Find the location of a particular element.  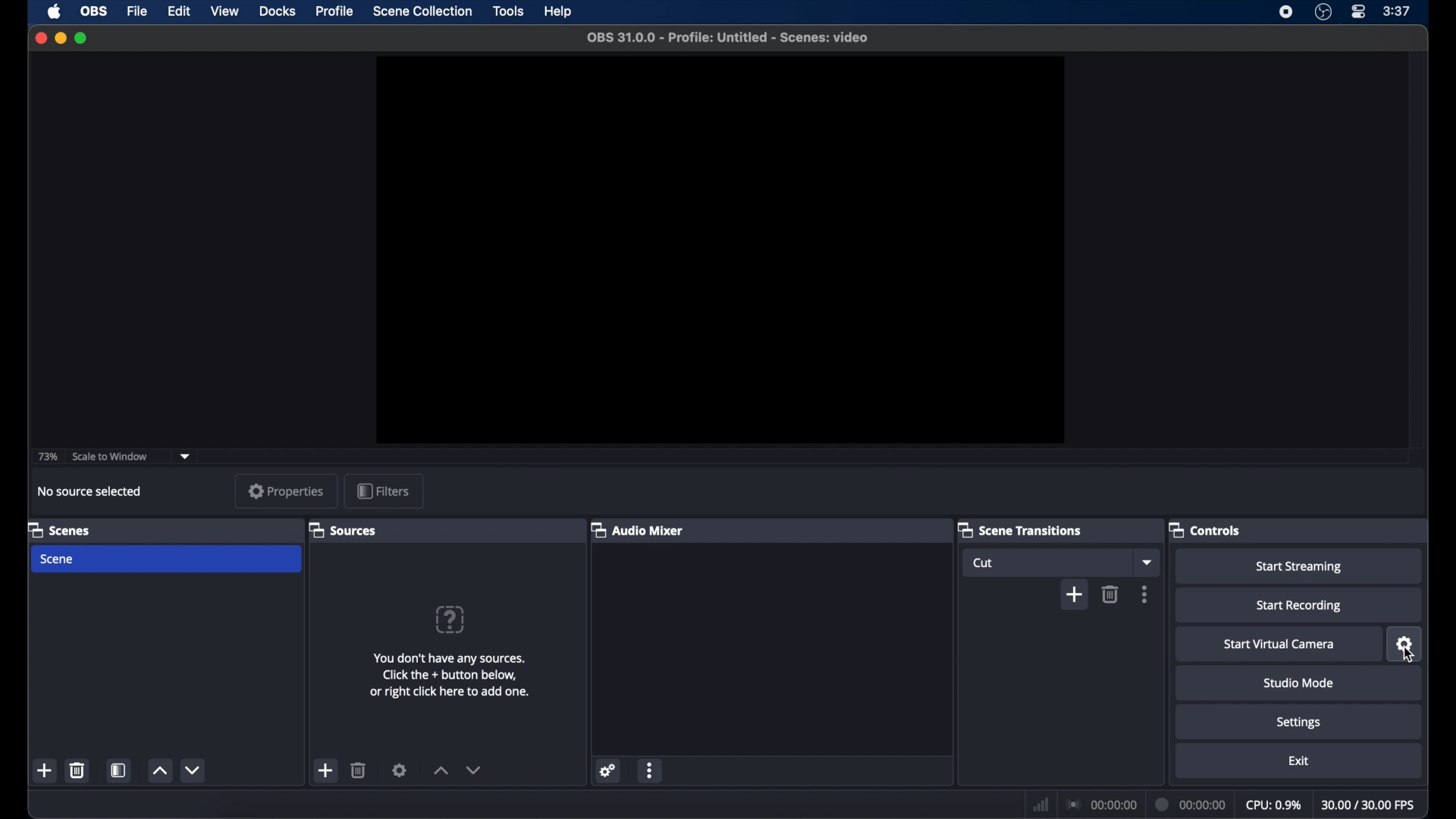

scale to window is located at coordinates (111, 457).